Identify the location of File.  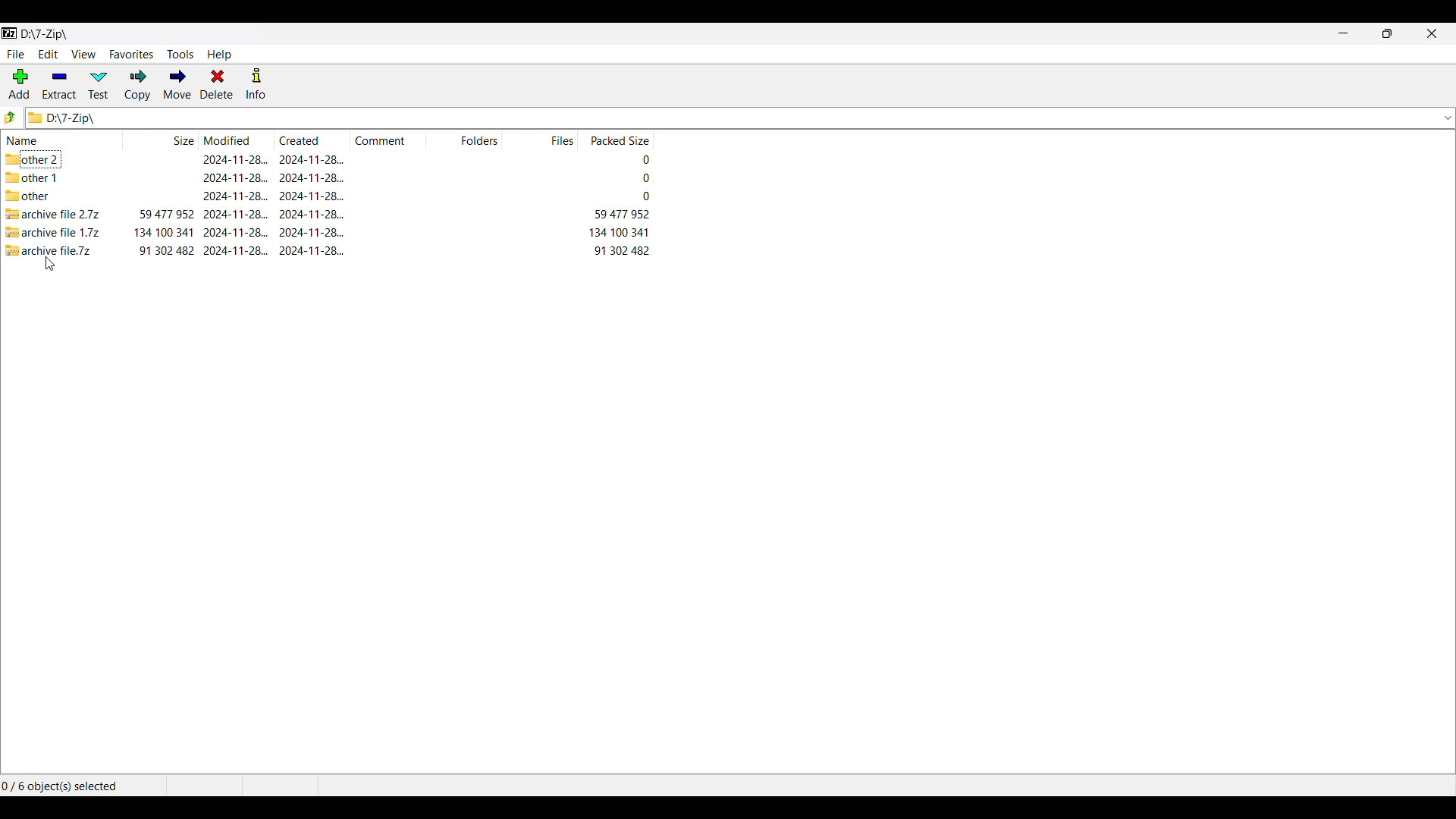
(16, 55).